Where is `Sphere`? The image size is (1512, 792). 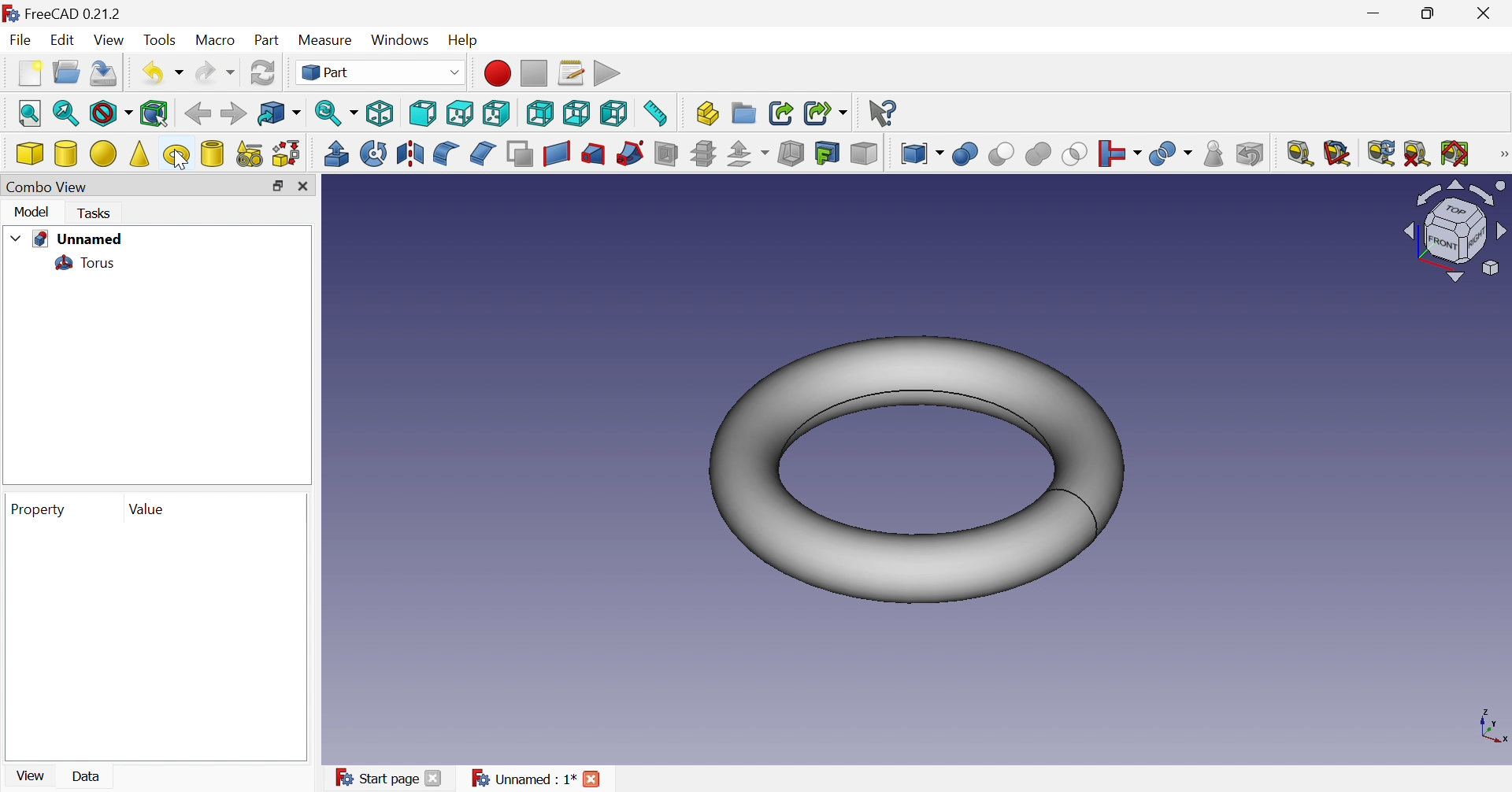 Sphere is located at coordinates (104, 154).